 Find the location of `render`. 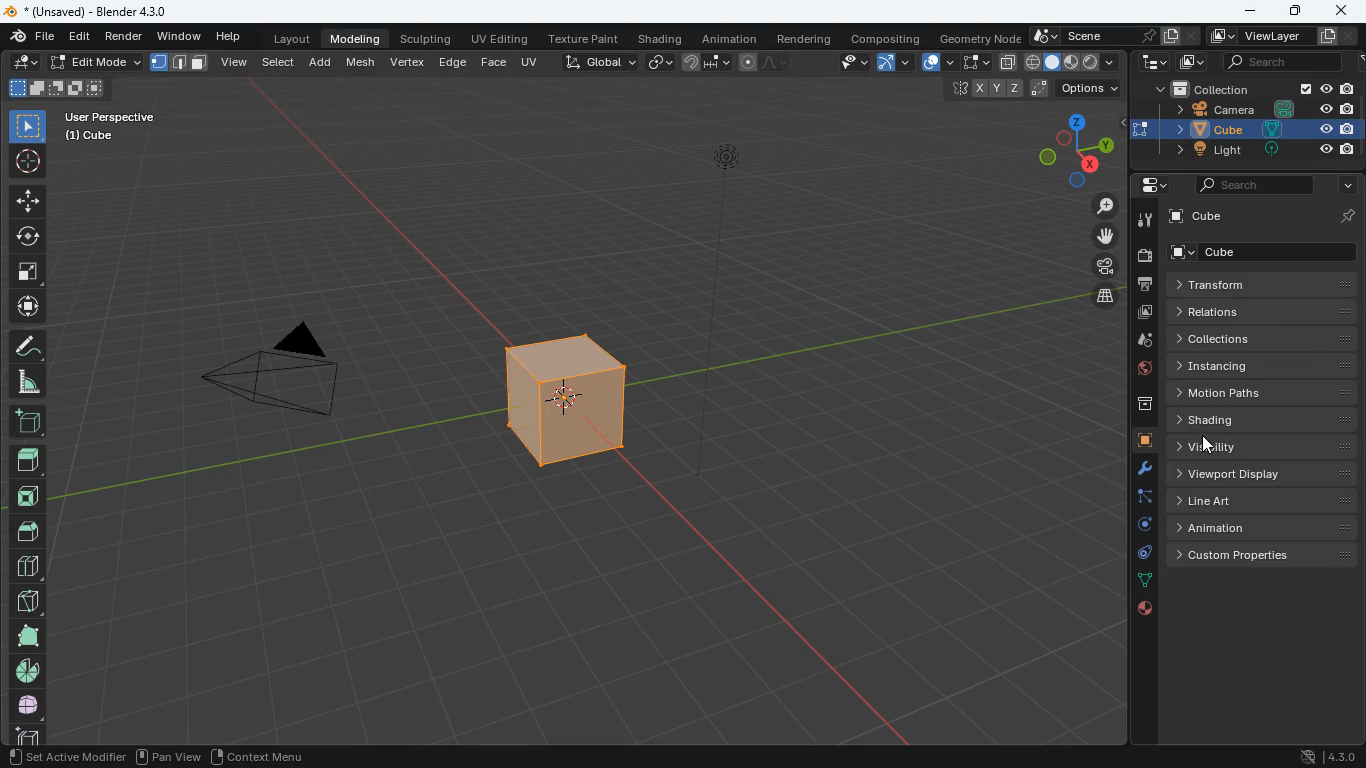

render is located at coordinates (124, 37).